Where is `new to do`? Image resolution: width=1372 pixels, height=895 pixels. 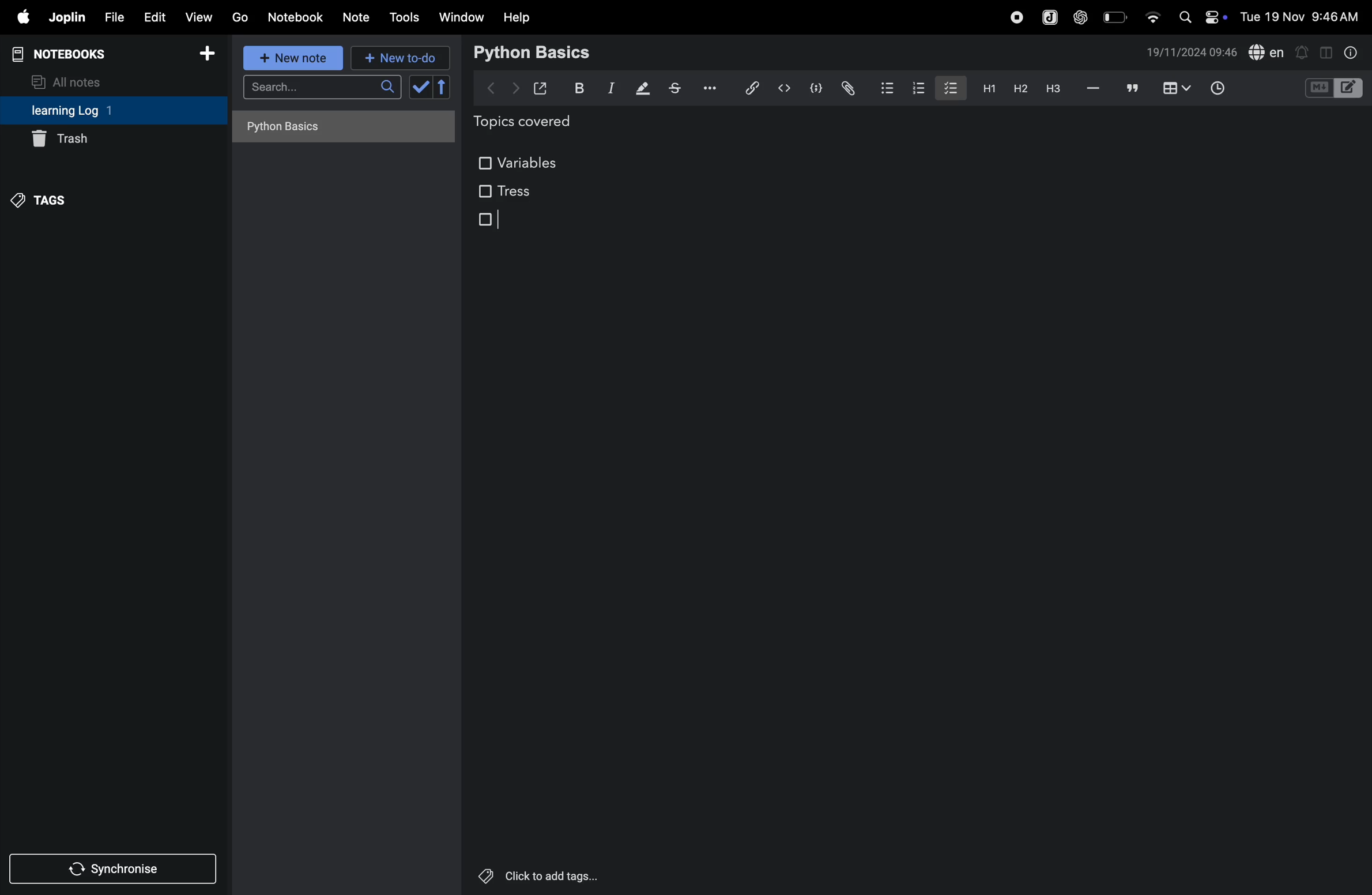
new to do is located at coordinates (395, 55).